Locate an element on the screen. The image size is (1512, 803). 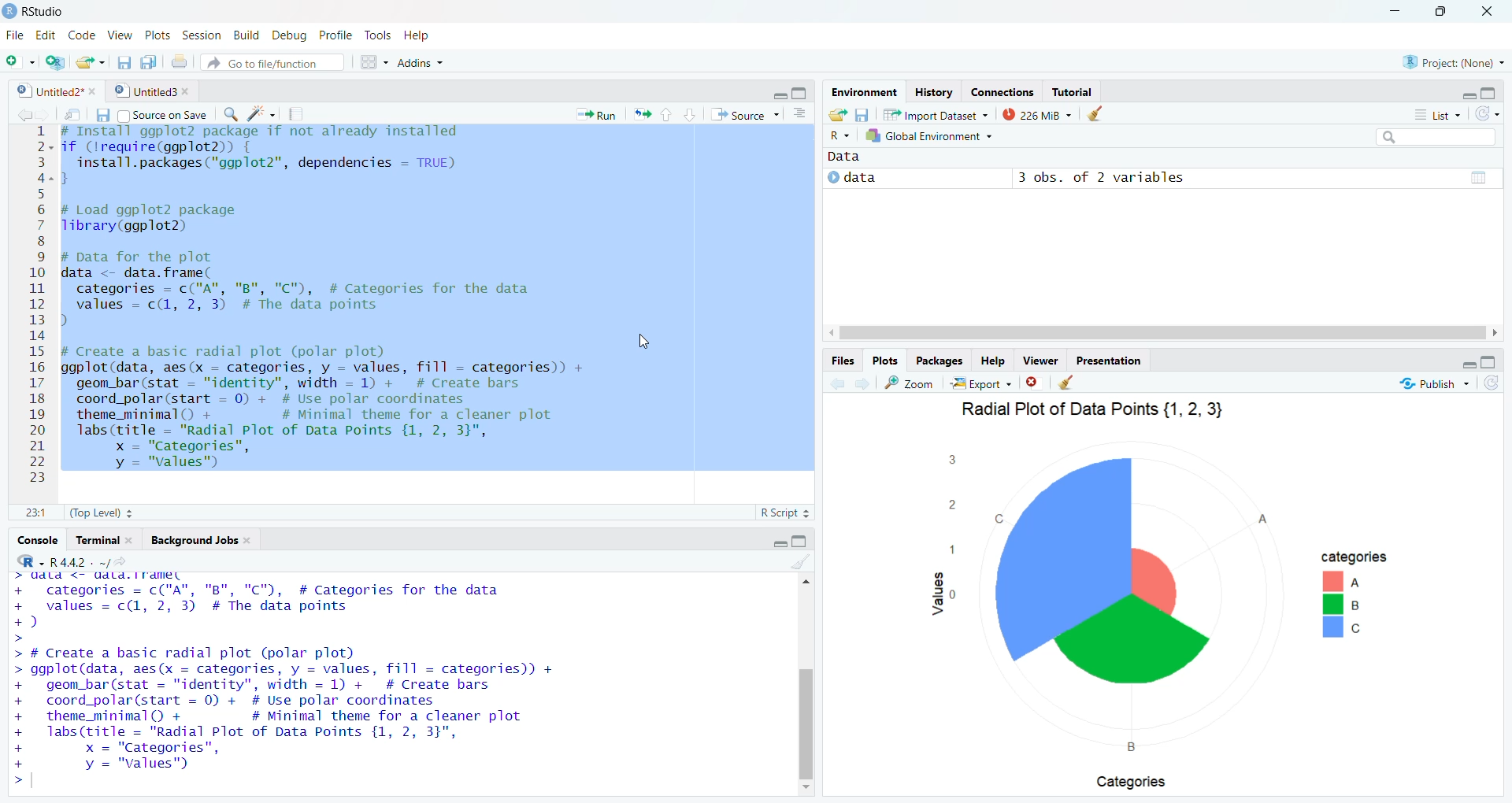
compile report  is located at coordinates (300, 114).